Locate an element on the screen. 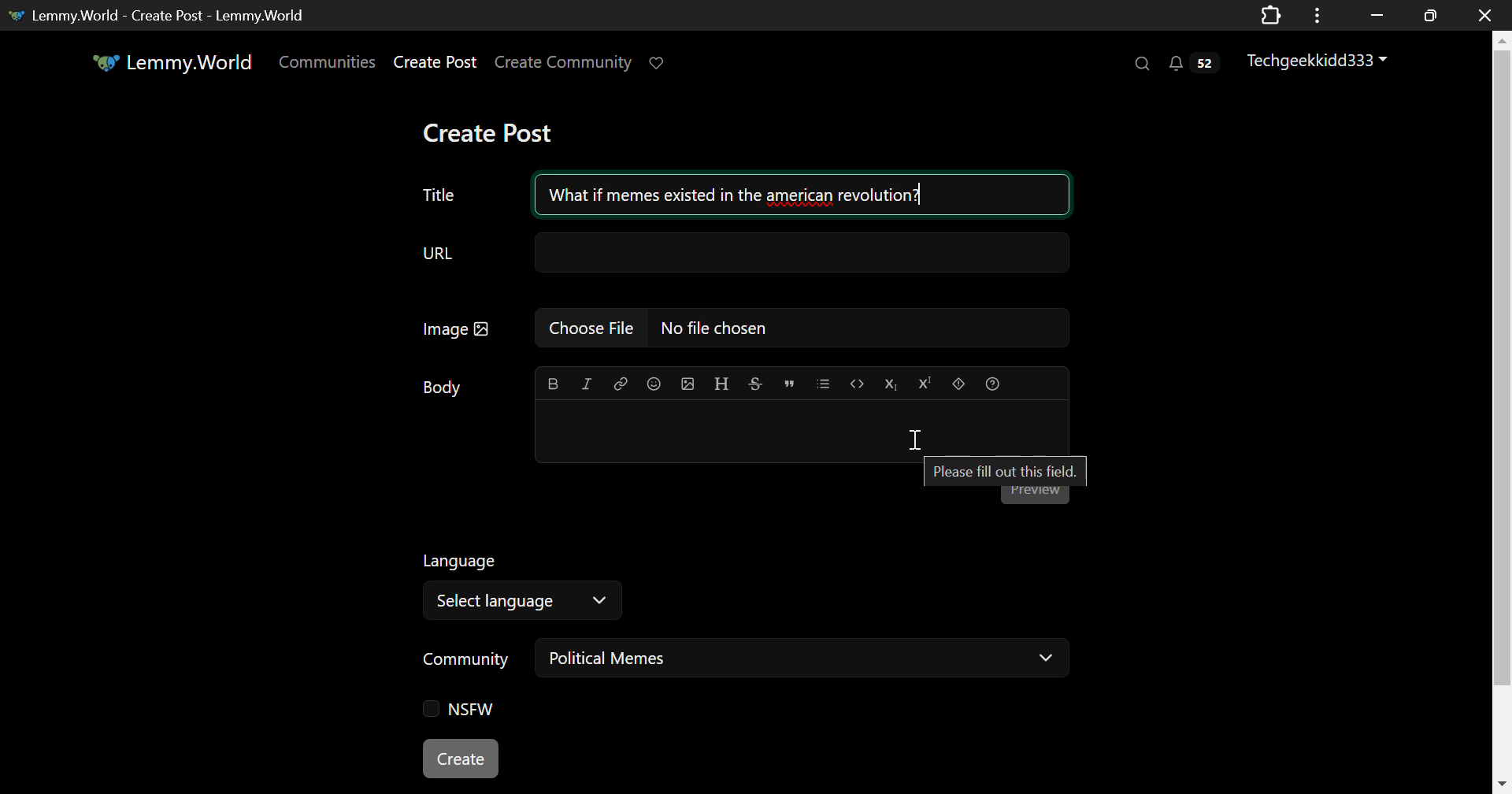  Restore Down is located at coordinates (1374, 15).